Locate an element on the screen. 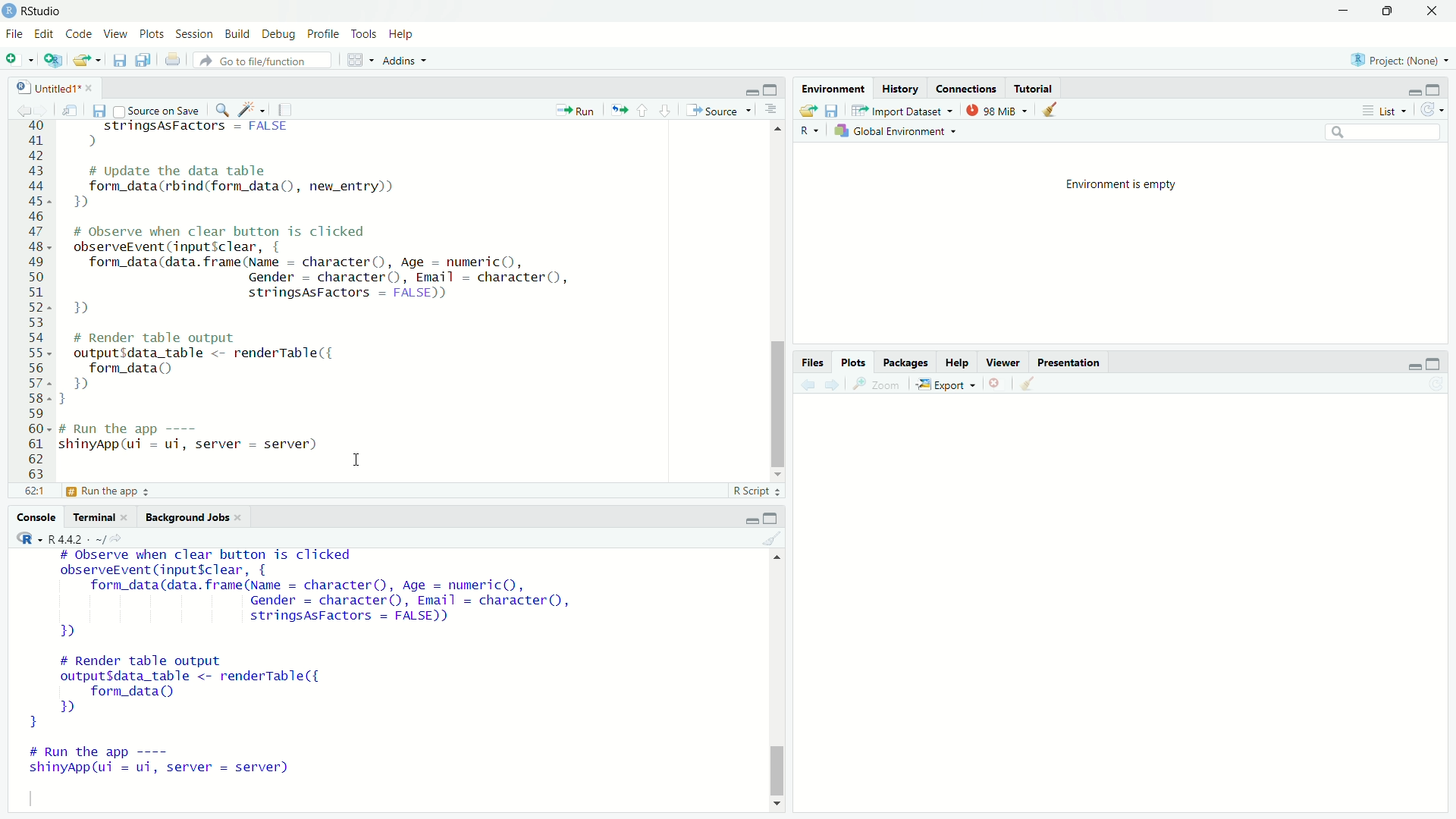 The height and width of the screenshot is (819, 1456). background jobs is located at coordinates (186, 516).